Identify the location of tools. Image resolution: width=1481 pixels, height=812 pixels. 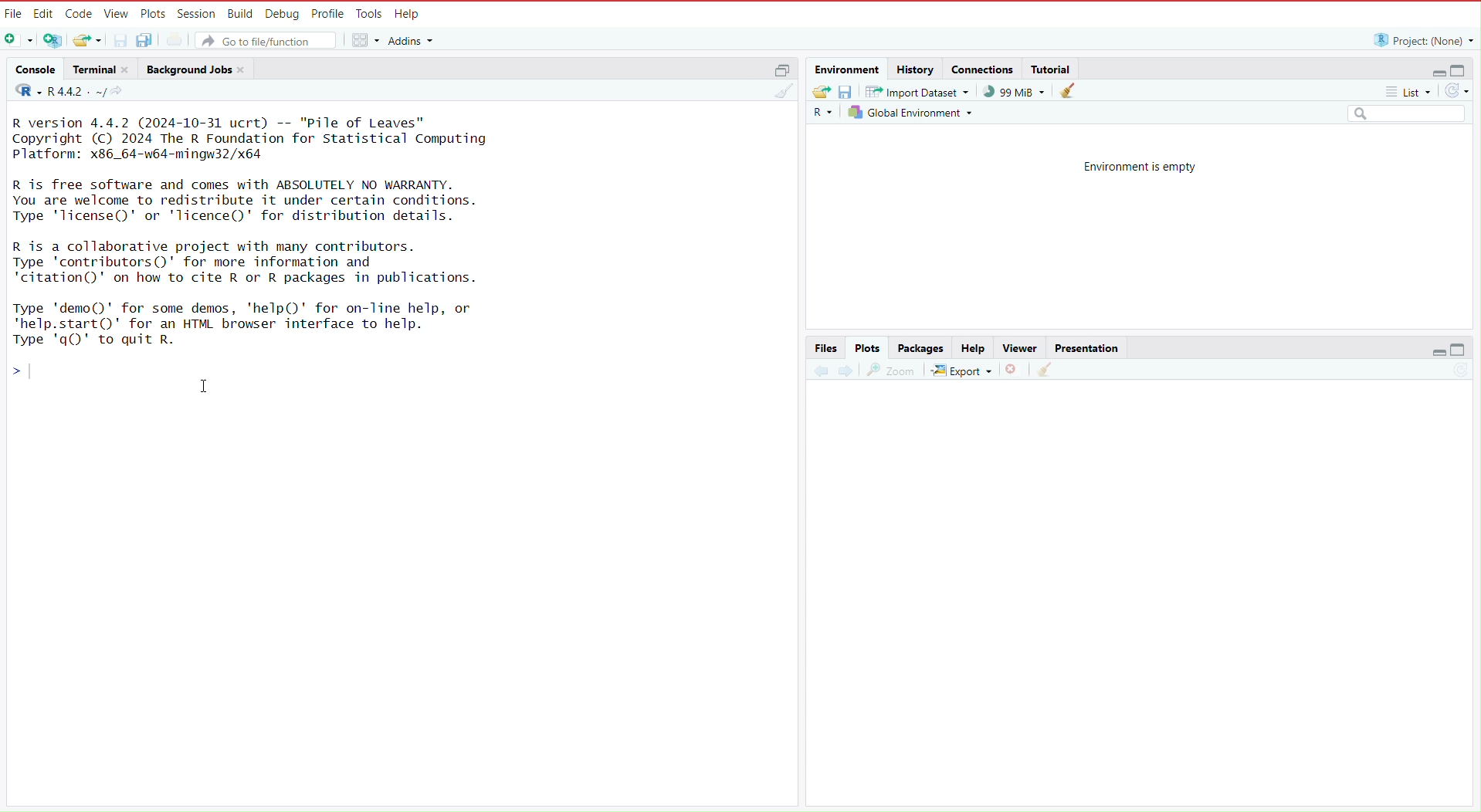
(371, 12).